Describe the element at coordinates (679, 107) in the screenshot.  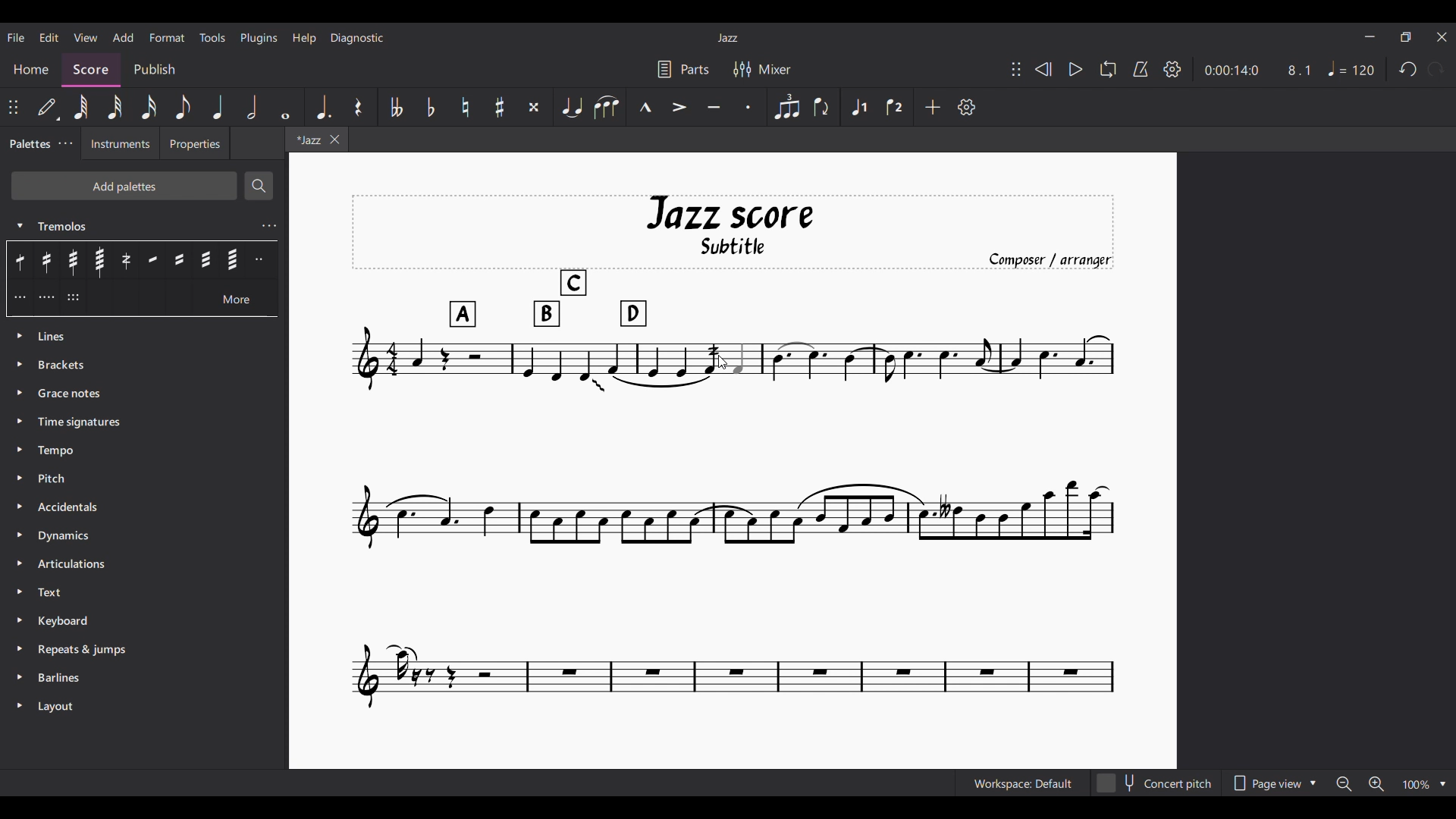
I see `Accent` at that location.